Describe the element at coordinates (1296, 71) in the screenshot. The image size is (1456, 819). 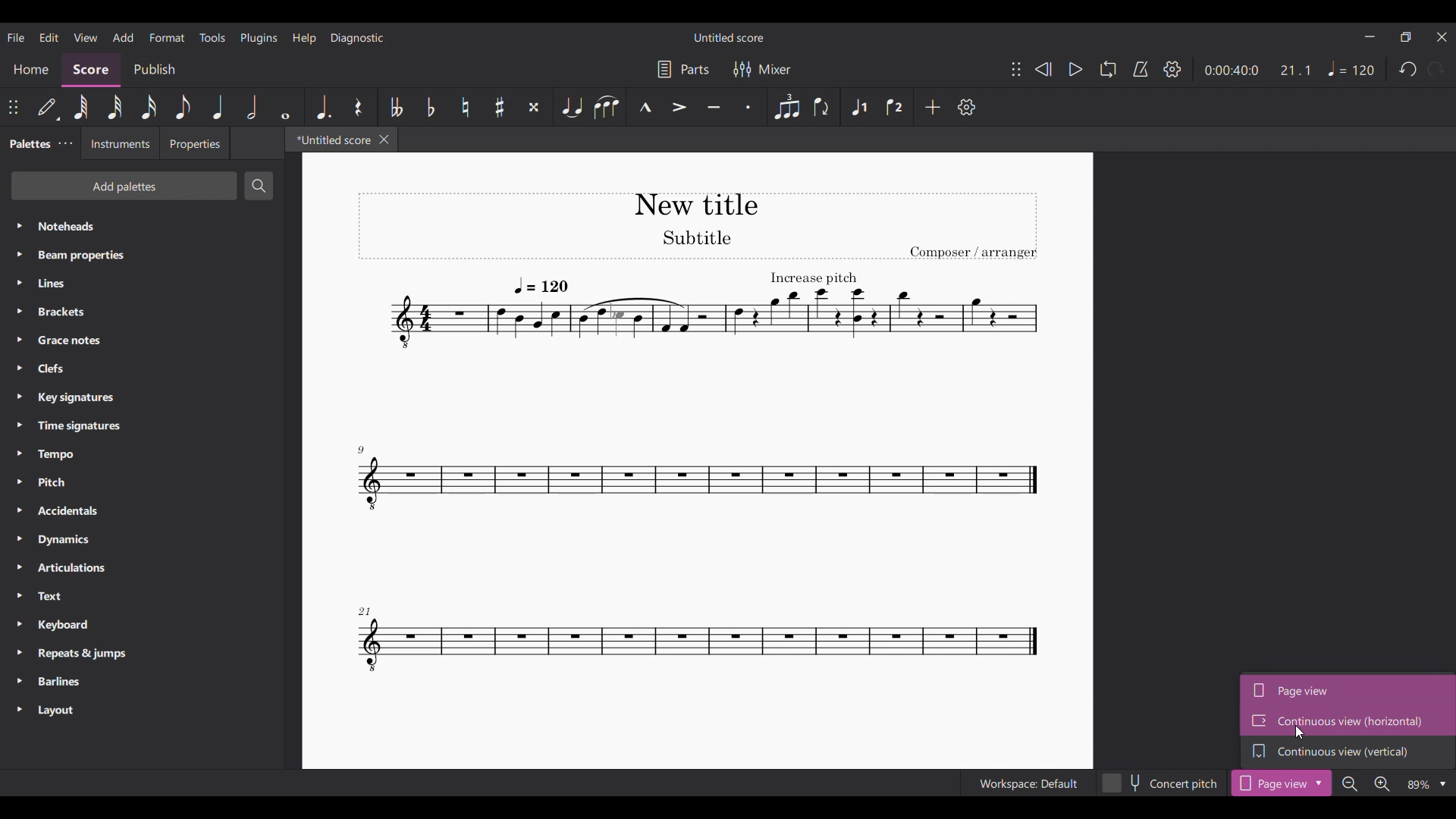
I see `Score ratio` at that location.